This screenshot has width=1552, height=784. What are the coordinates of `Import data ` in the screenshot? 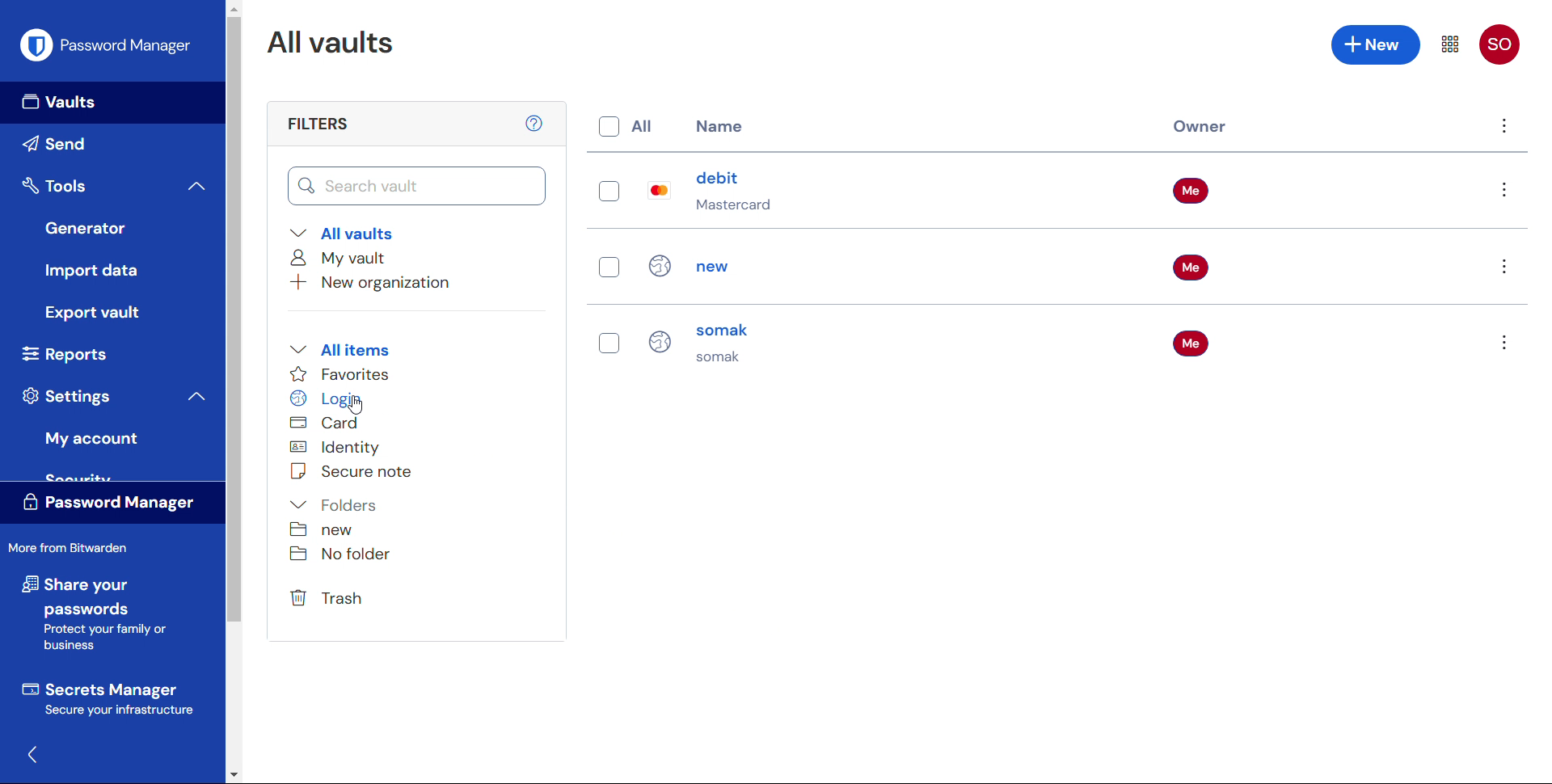 It's located at (87, 268).